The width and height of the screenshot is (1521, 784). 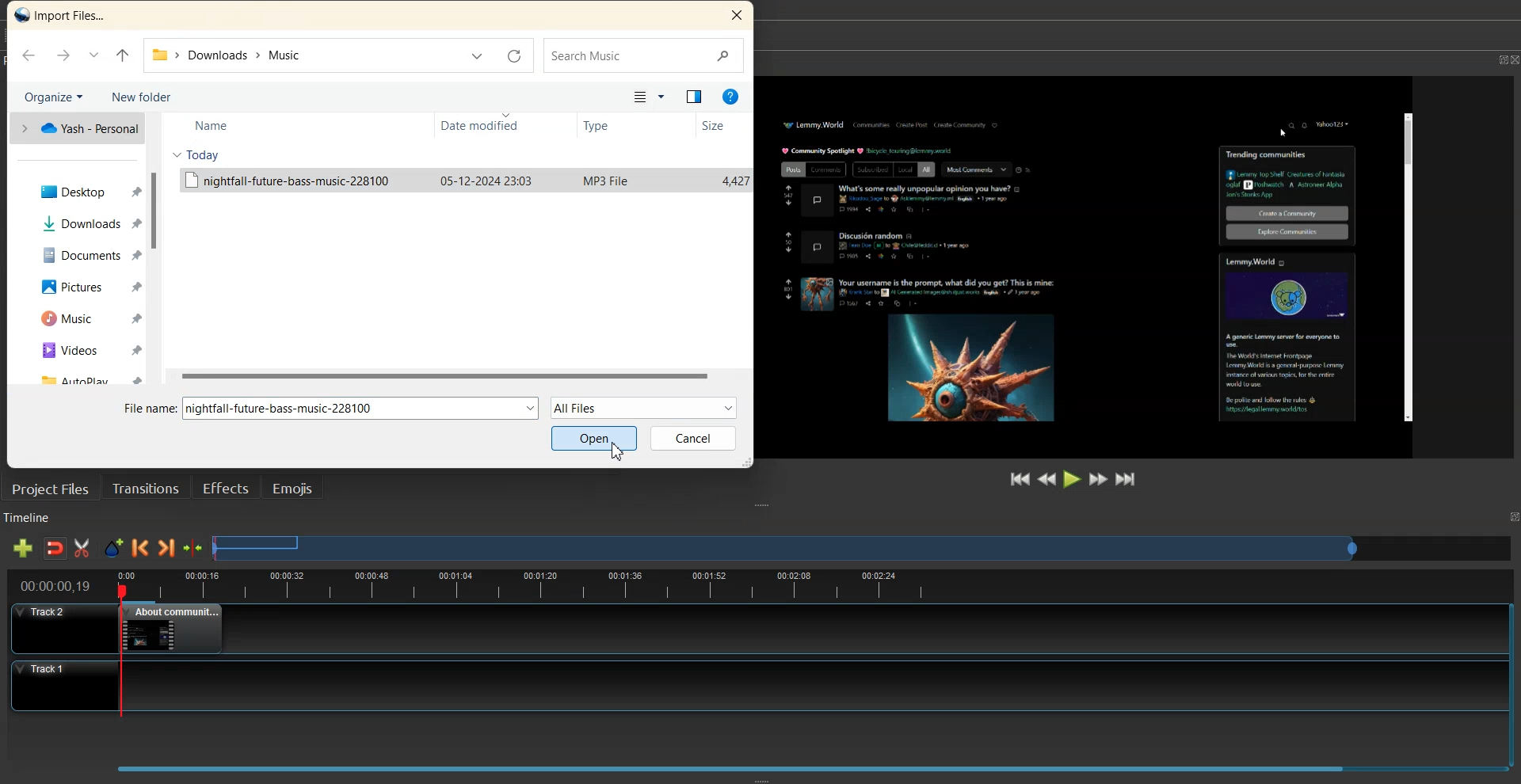 I want to click on Add Marker, so click(x=113, y=548).